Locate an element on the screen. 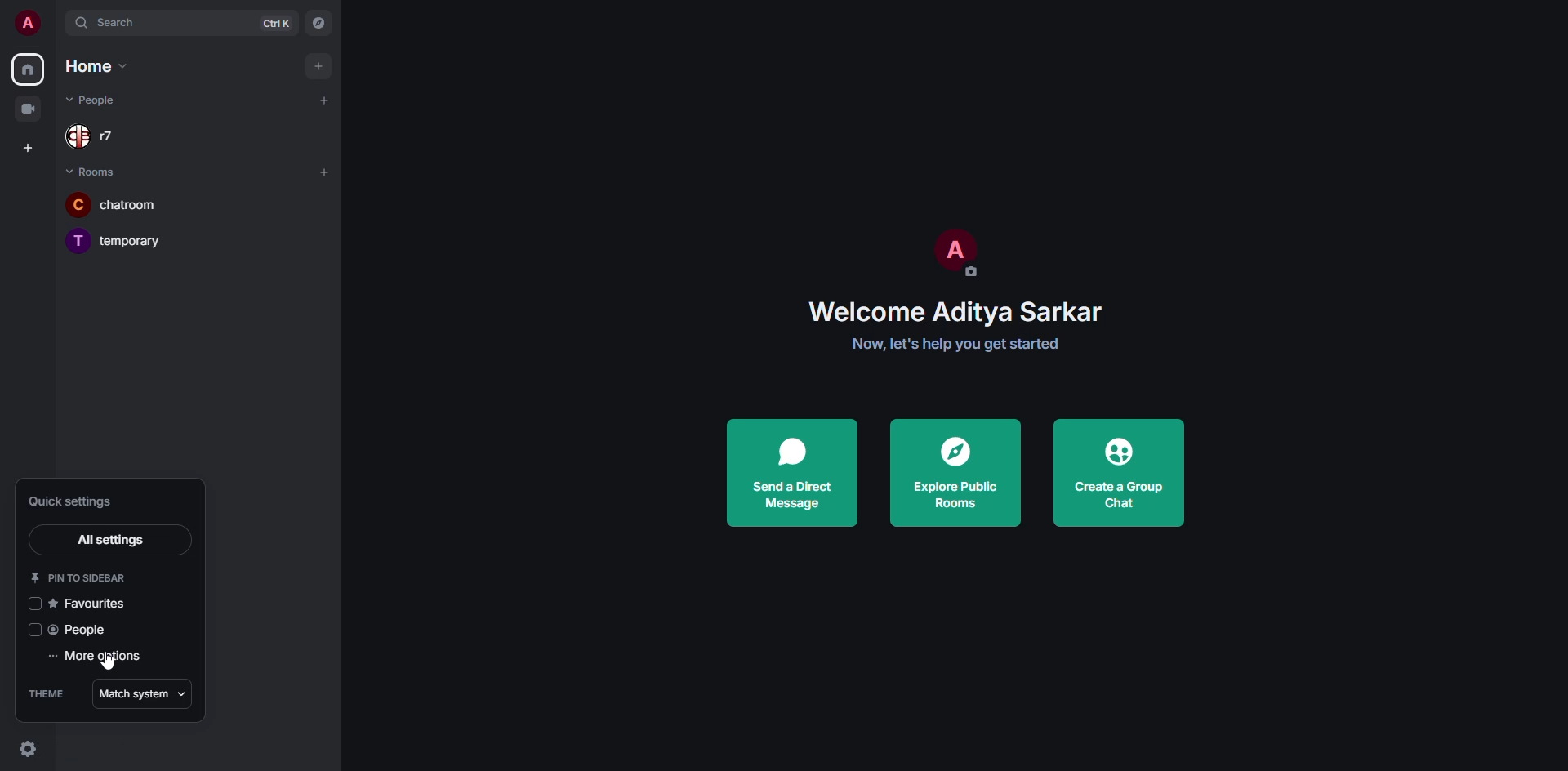 The width and height of the screenshot is (1568, 771). cursor is located at coordinates (109, 668).